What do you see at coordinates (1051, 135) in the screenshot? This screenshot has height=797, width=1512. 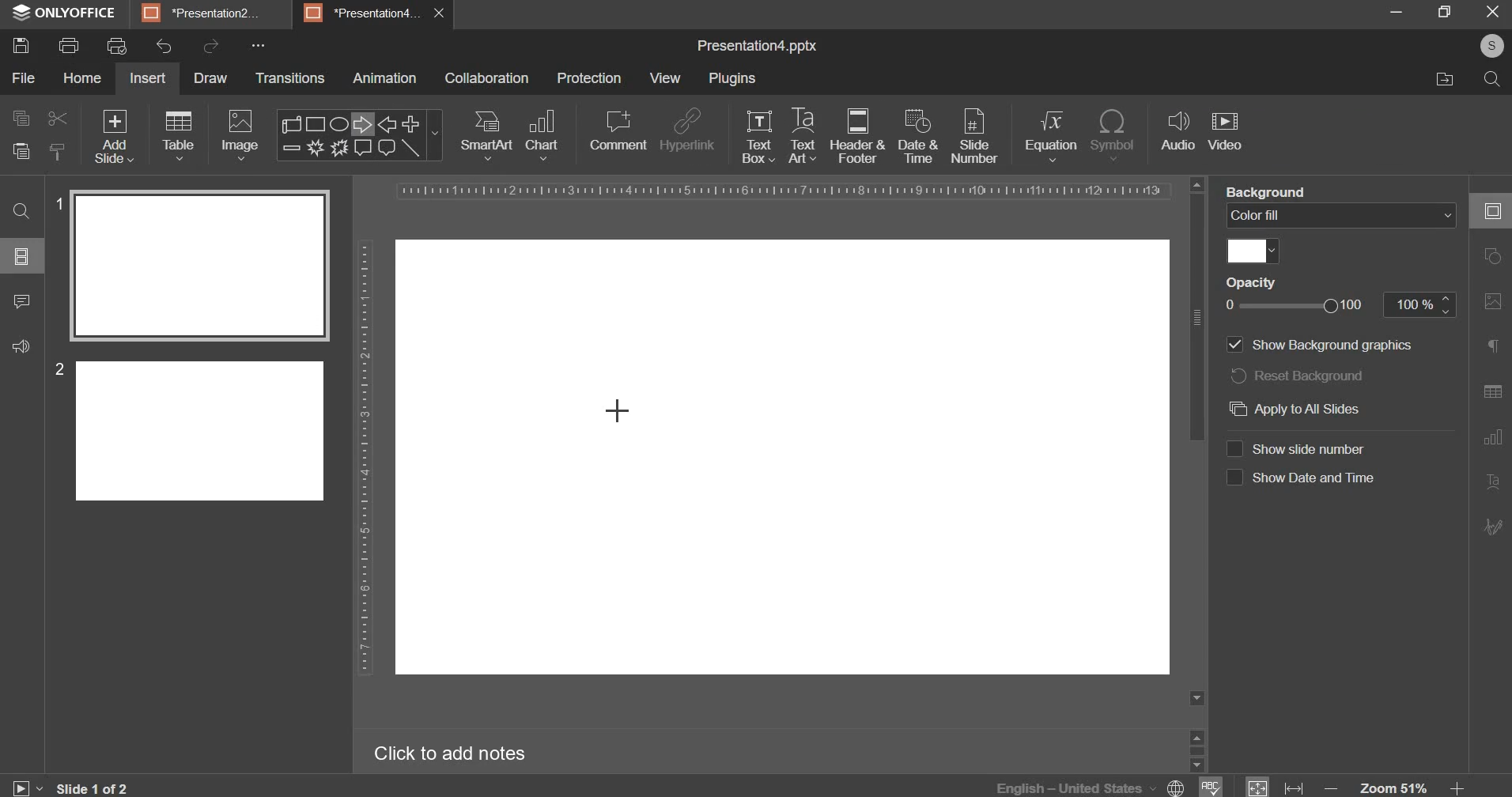 I see `equation` at bounding box center [1051, 135].